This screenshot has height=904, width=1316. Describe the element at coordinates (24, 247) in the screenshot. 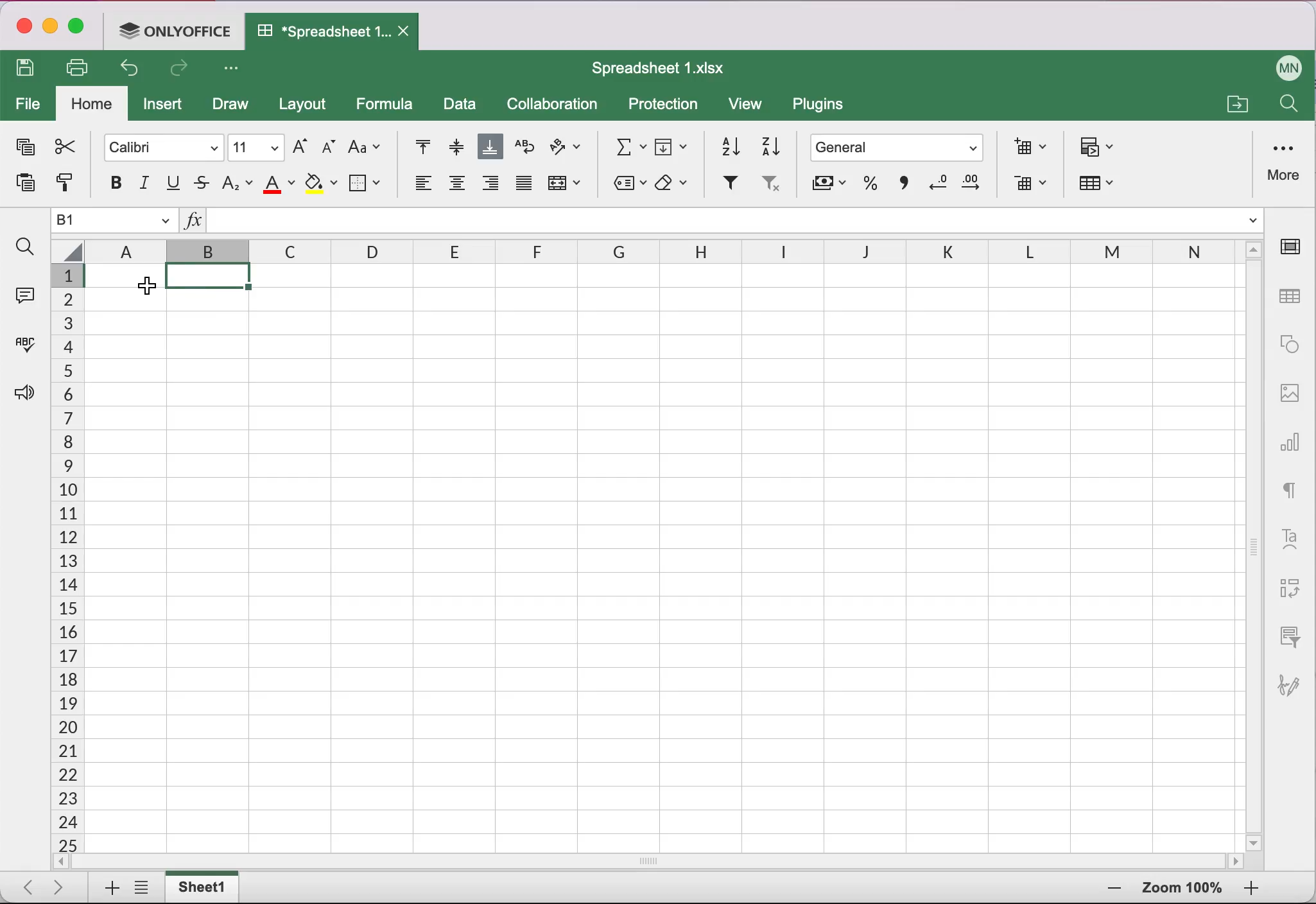

I see `find` at that location.